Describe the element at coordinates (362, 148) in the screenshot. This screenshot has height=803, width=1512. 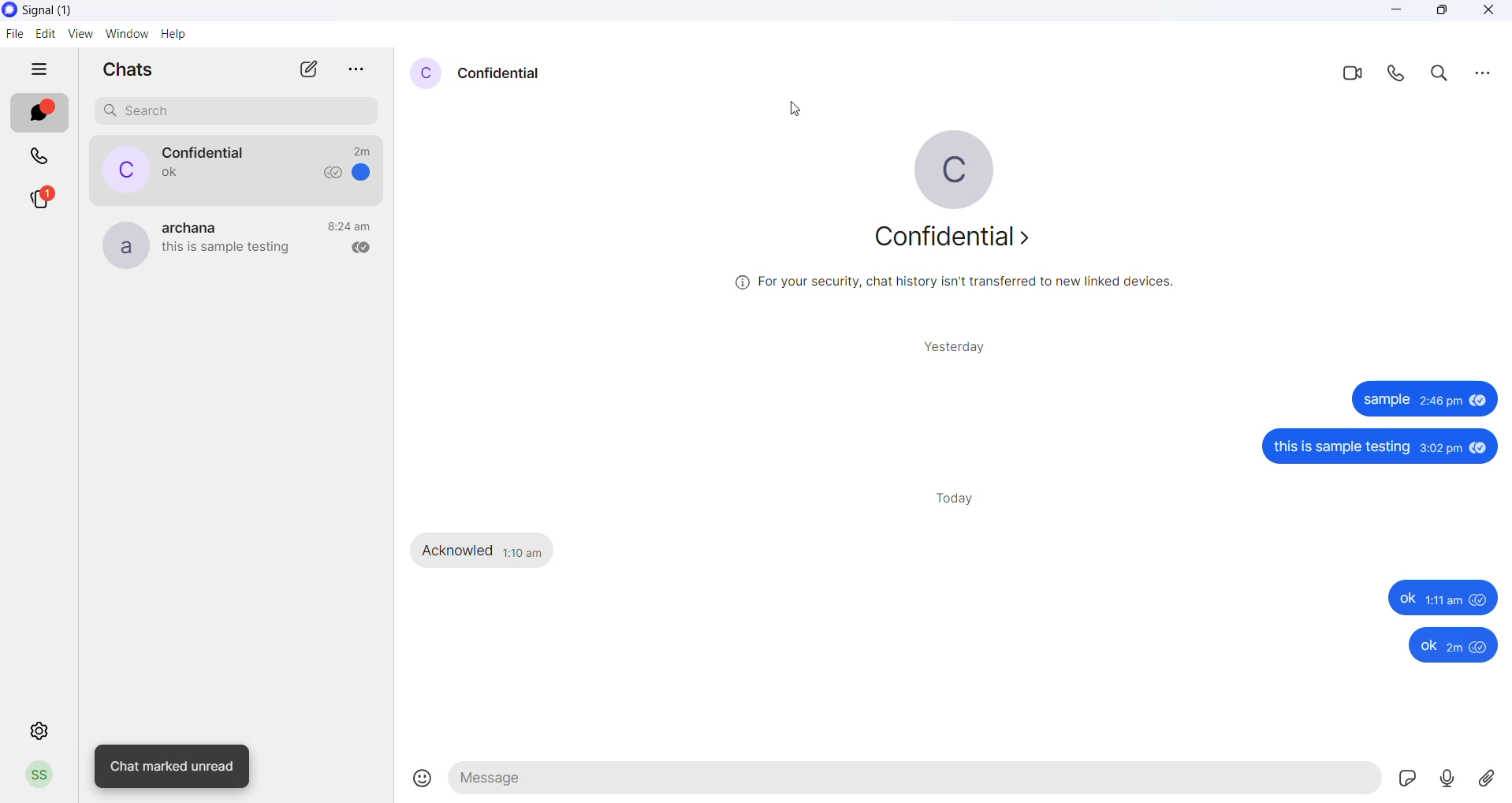
I see `last message time` at that location.